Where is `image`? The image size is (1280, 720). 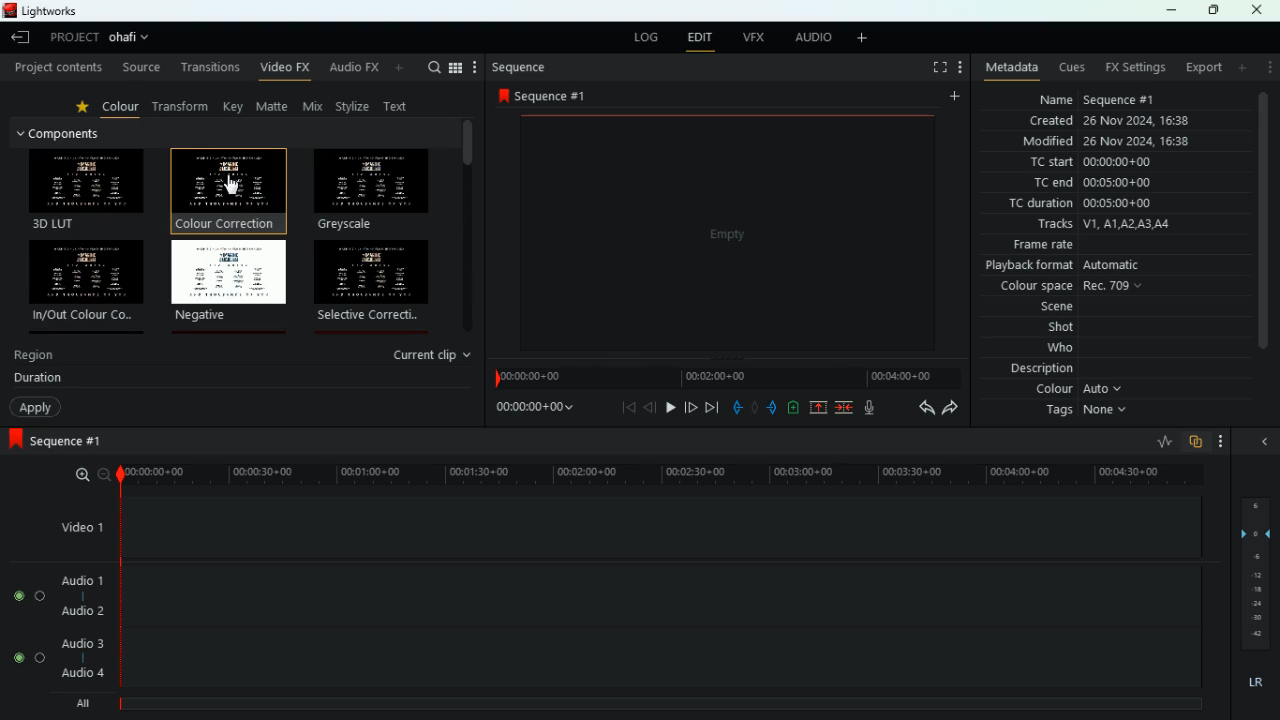
image is located at coordinates (726, 231).